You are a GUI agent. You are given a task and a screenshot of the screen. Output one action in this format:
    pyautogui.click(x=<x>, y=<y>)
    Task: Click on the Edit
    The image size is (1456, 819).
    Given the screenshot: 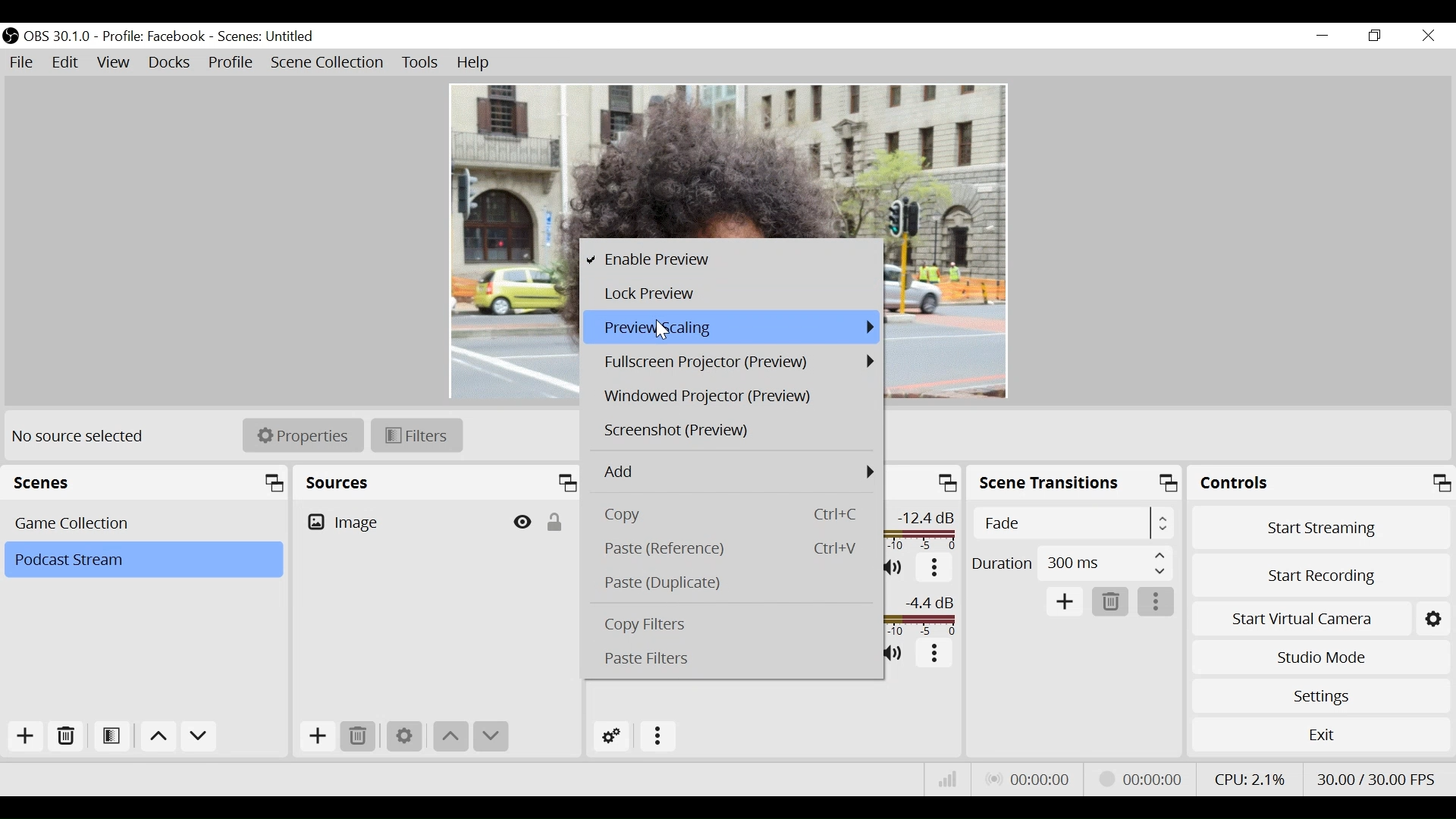 What is the action you would take?
    pyautogui.click(x=64, y=64)
    